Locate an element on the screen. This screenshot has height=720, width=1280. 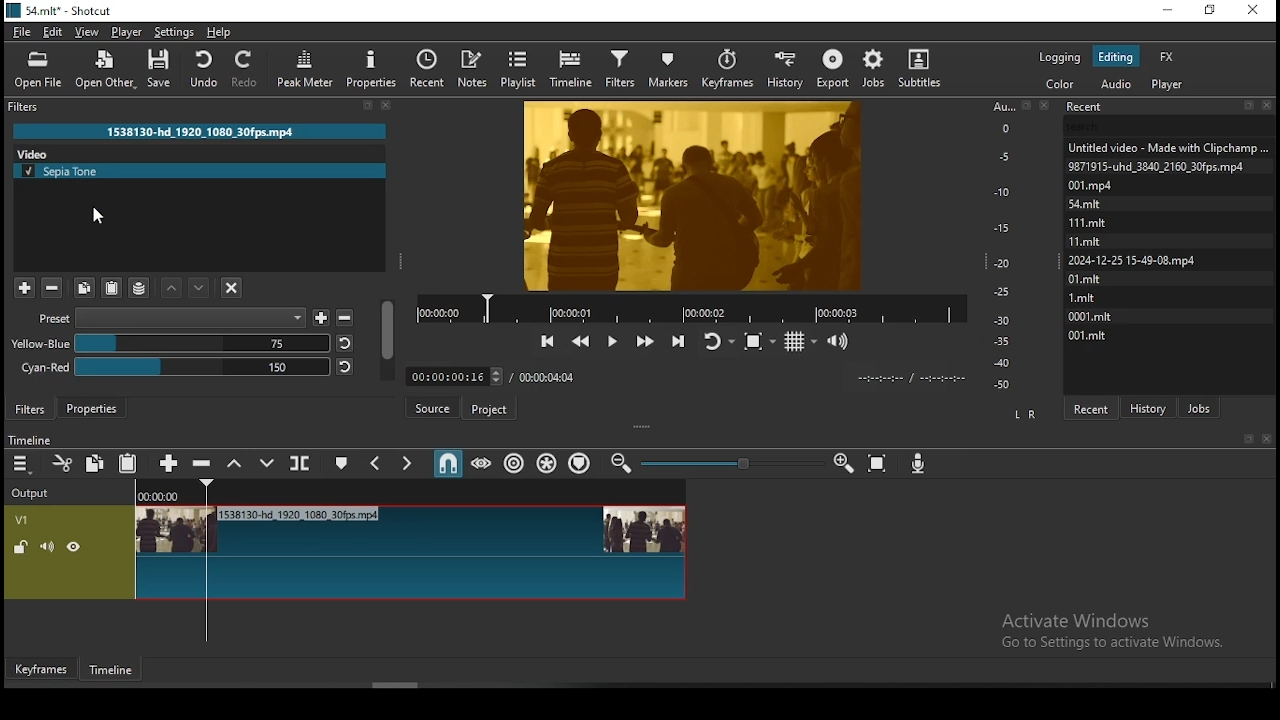
scroll bar is located at coordinates (401, 686).